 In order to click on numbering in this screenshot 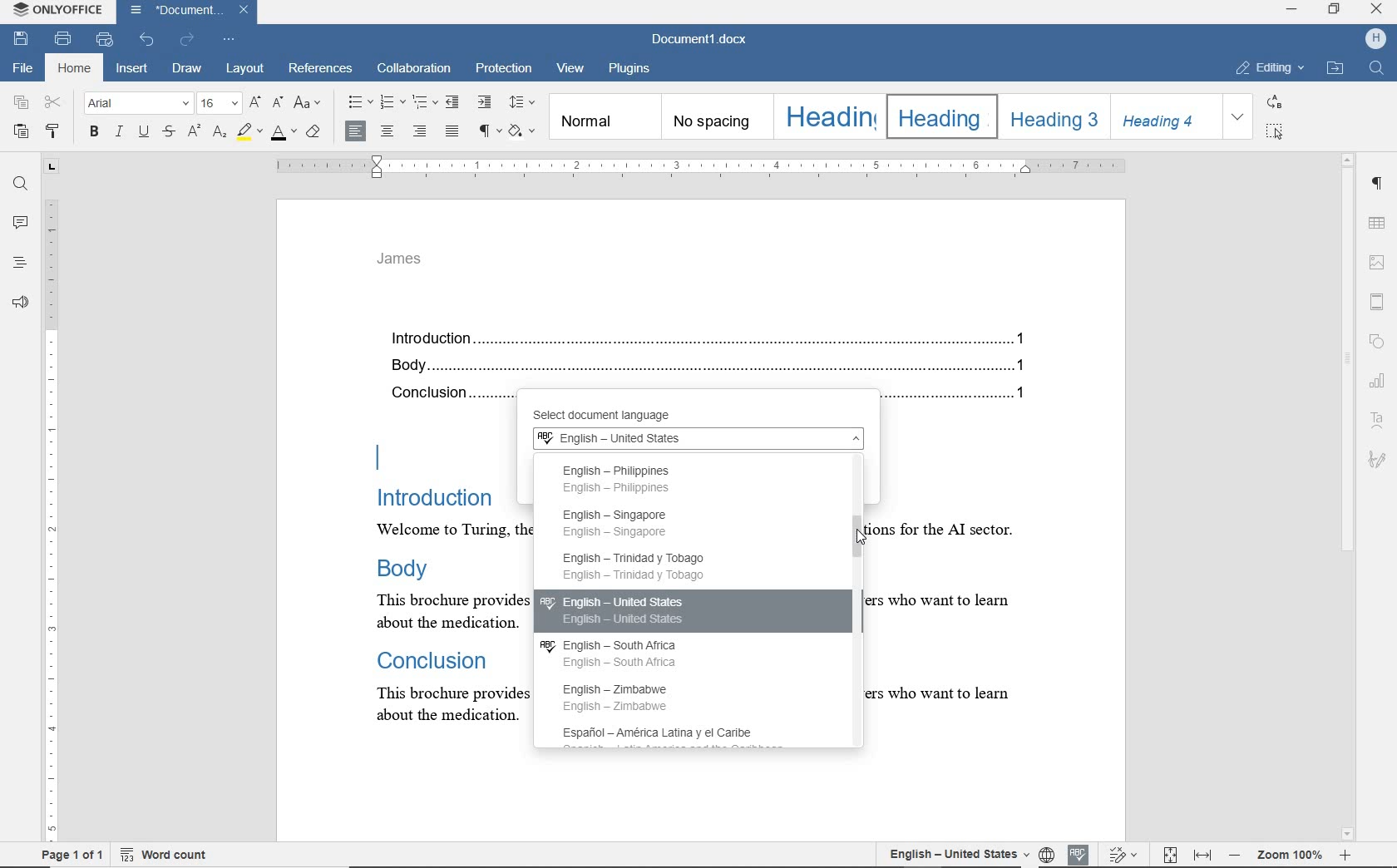, I will do `click(393, 102)`.